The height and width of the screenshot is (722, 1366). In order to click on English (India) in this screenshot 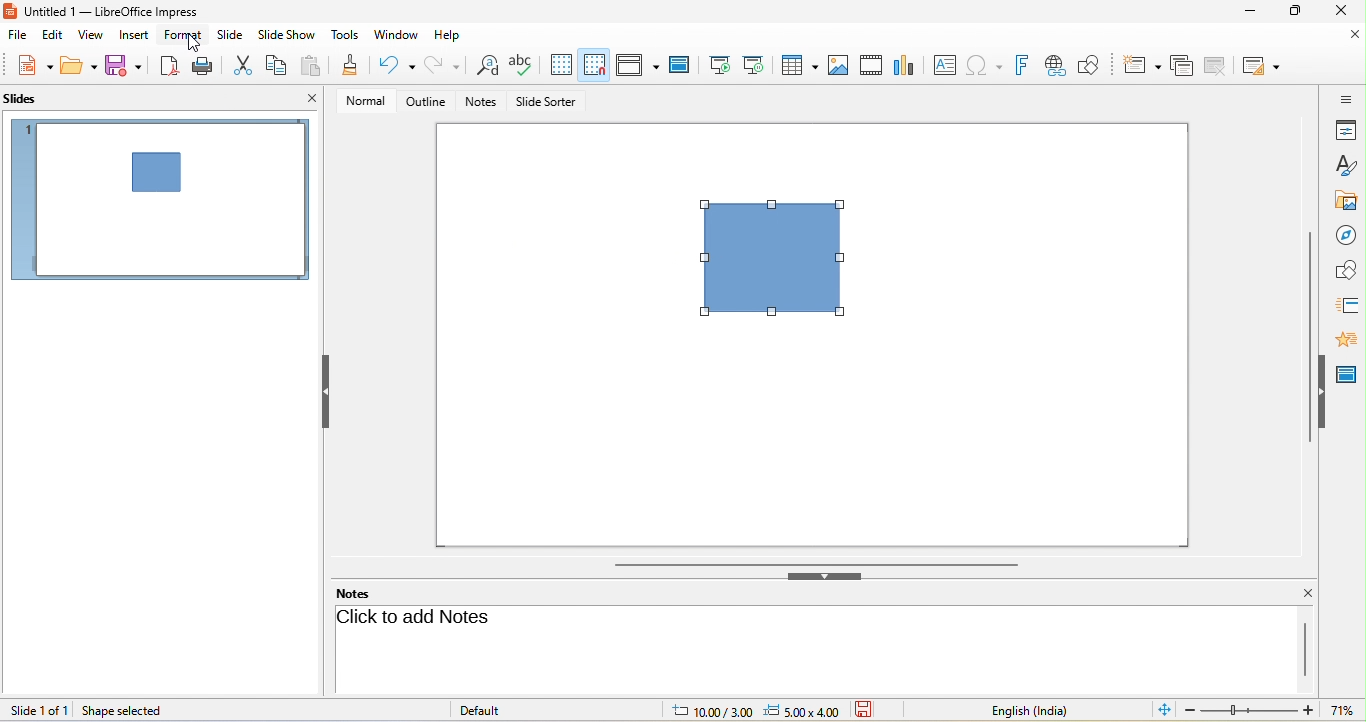, I will do `click(1018, 710)`.